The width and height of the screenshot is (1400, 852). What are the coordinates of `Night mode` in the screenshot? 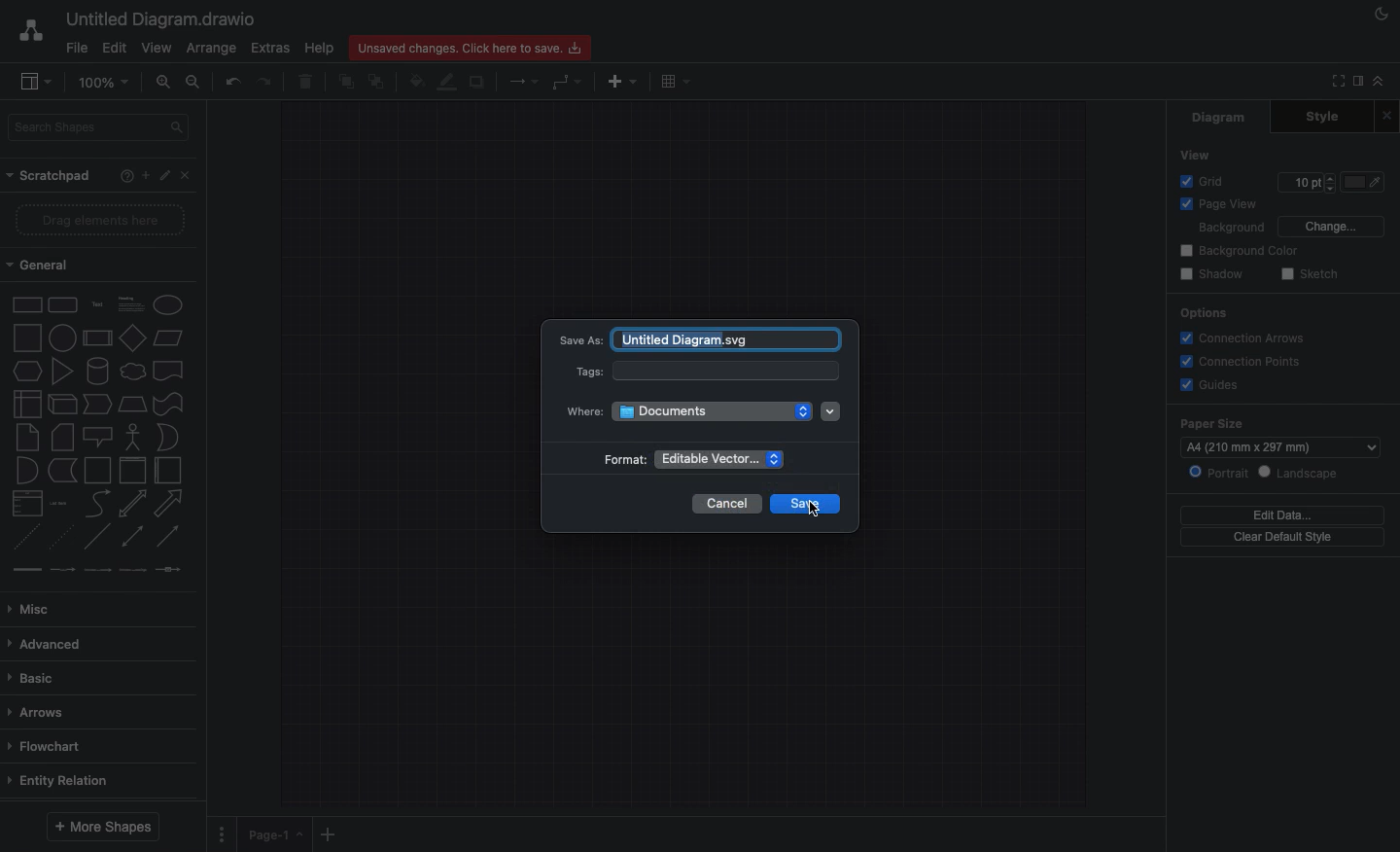 It's located at (1381, 14).